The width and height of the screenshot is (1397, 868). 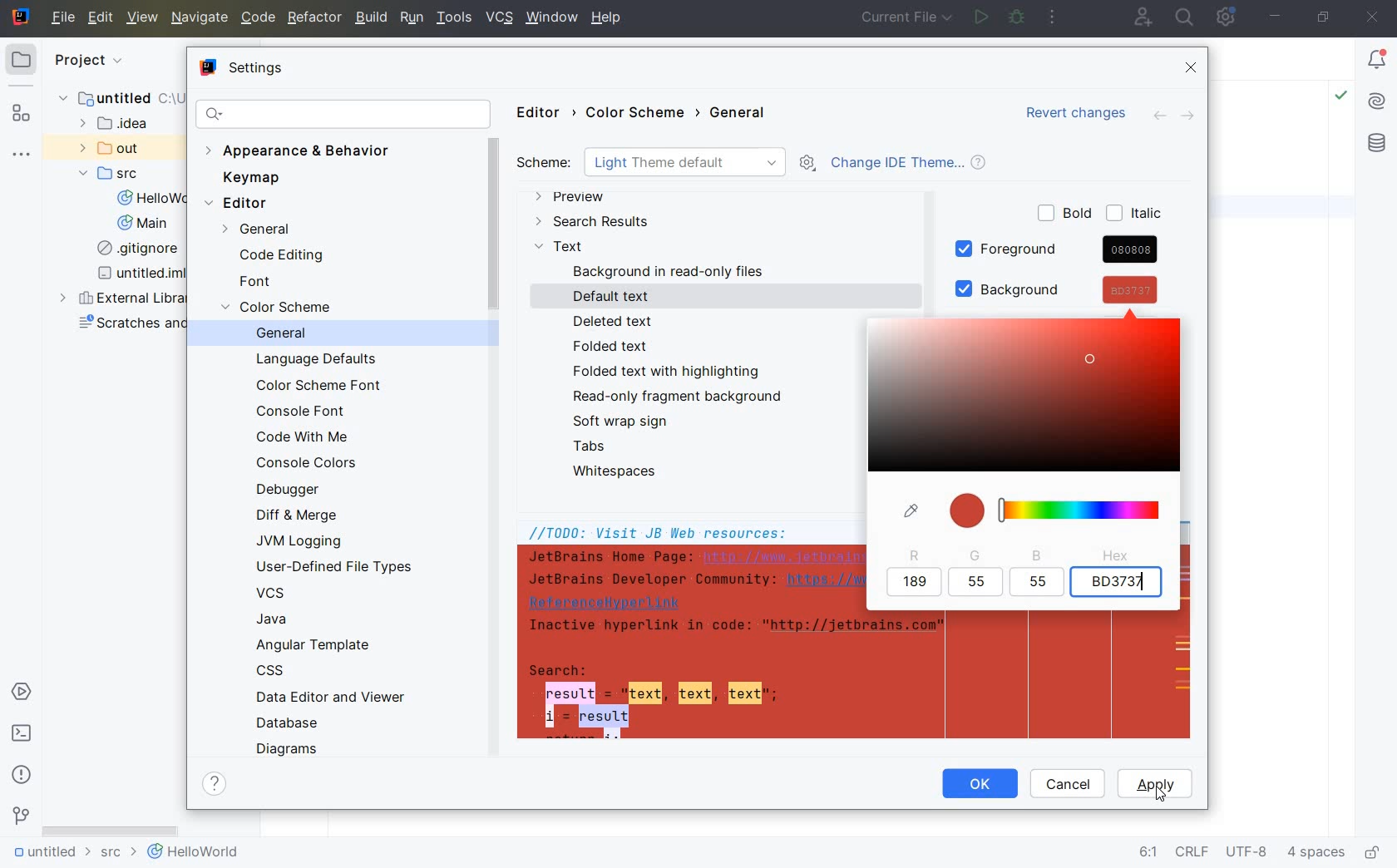 What do you see at coordinates (316, 361) in the screenshot?
I see `LANGUAGE DEFAULTS` at bounding box center [316, 361].